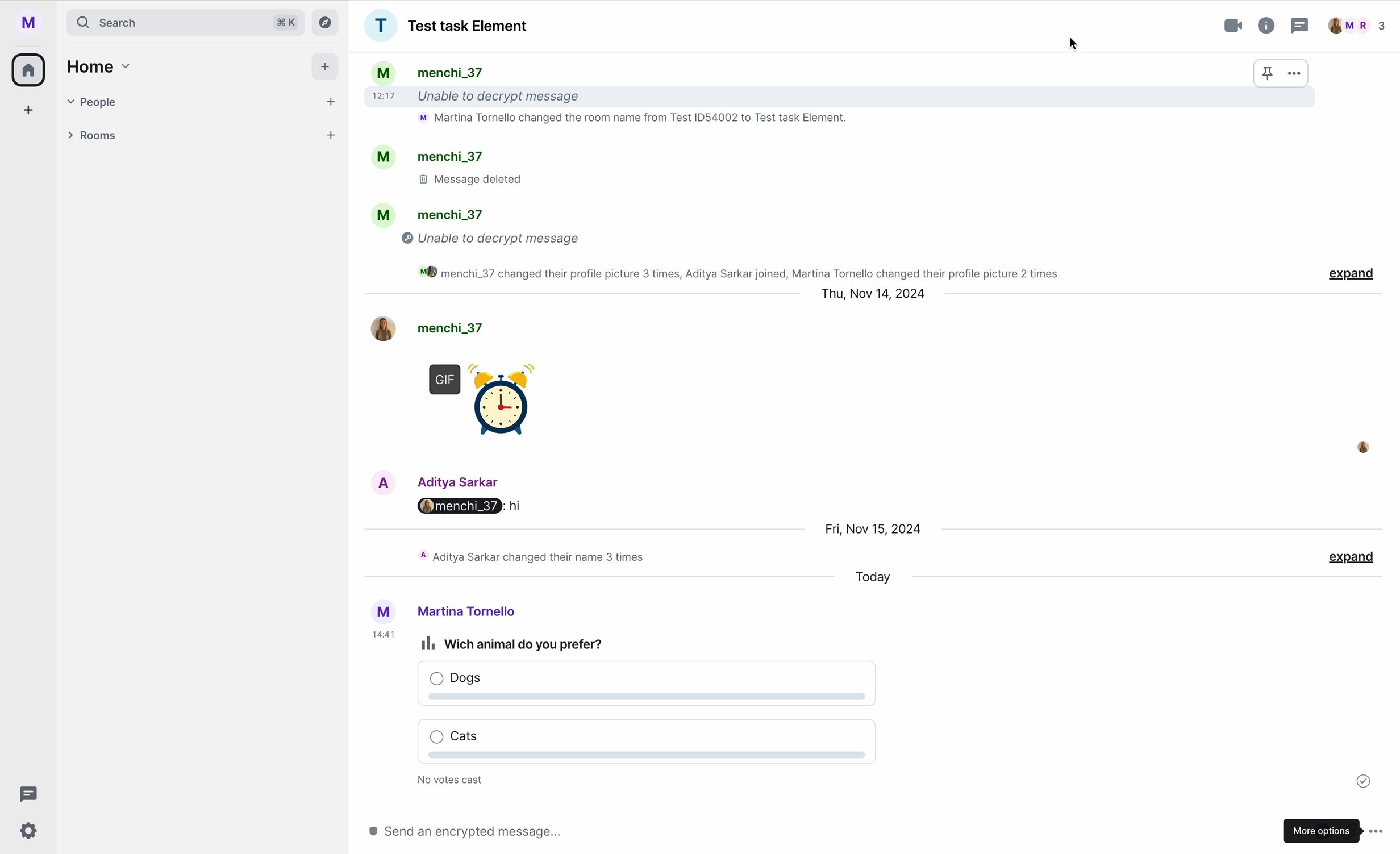 Image resolution: width=1400 pixels, height=854 pixels. I want to click on add, so click(30, 113).